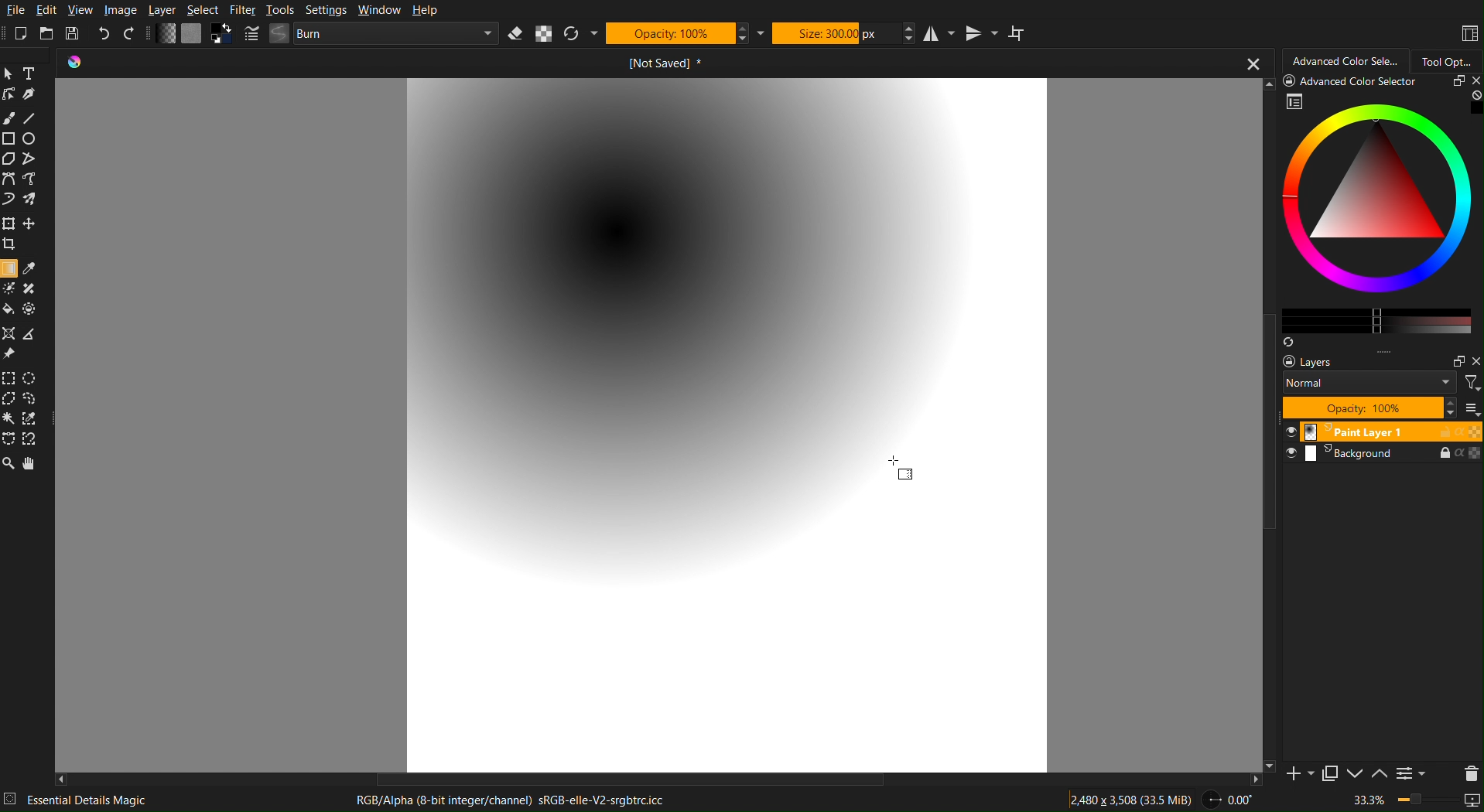 Image resolution: width=1484 pixels, height=812 pixels. I want to click on Delete, so click(1467, 772).